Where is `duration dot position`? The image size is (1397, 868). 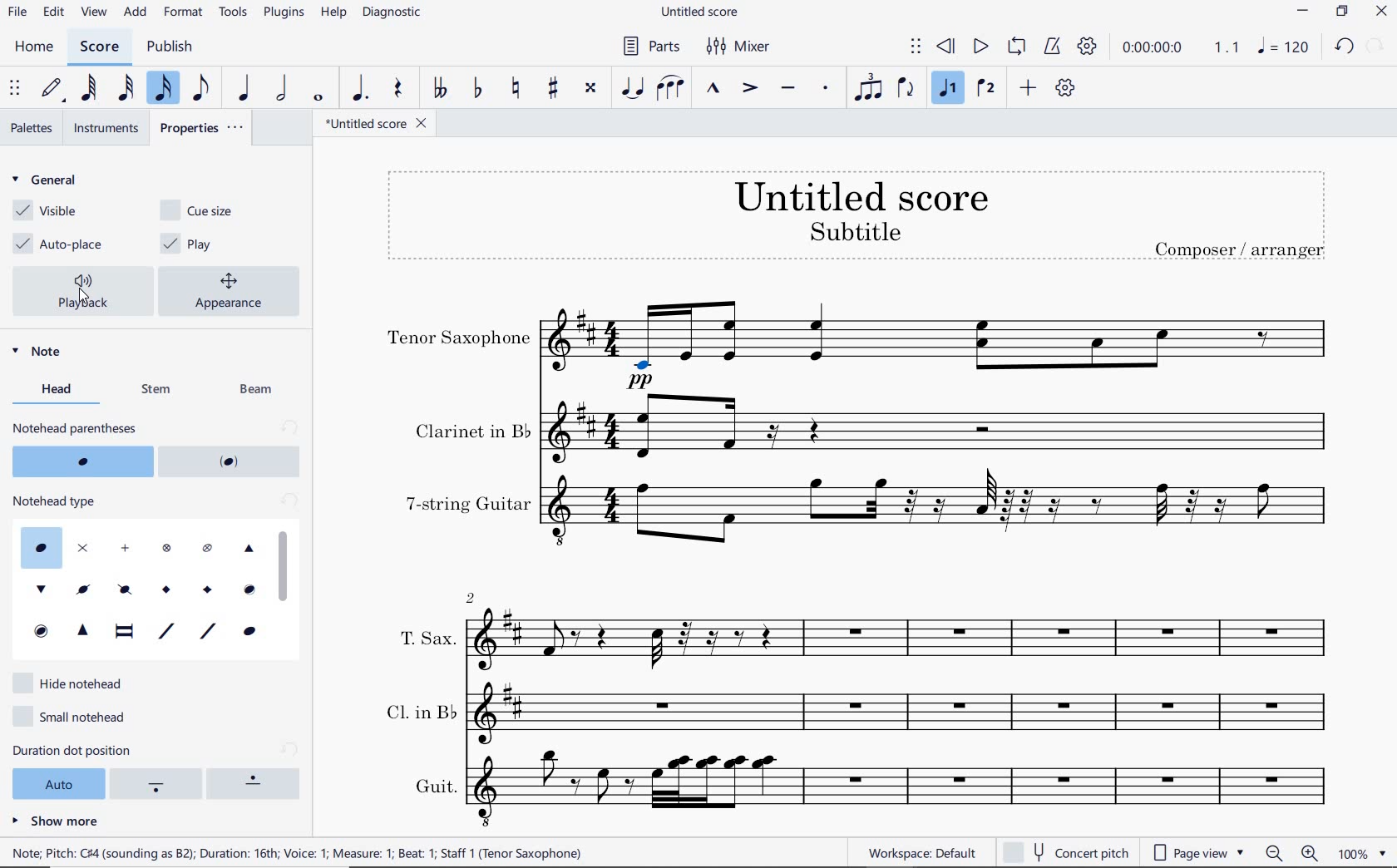 duration dot position is located at coordinates (93, 750).